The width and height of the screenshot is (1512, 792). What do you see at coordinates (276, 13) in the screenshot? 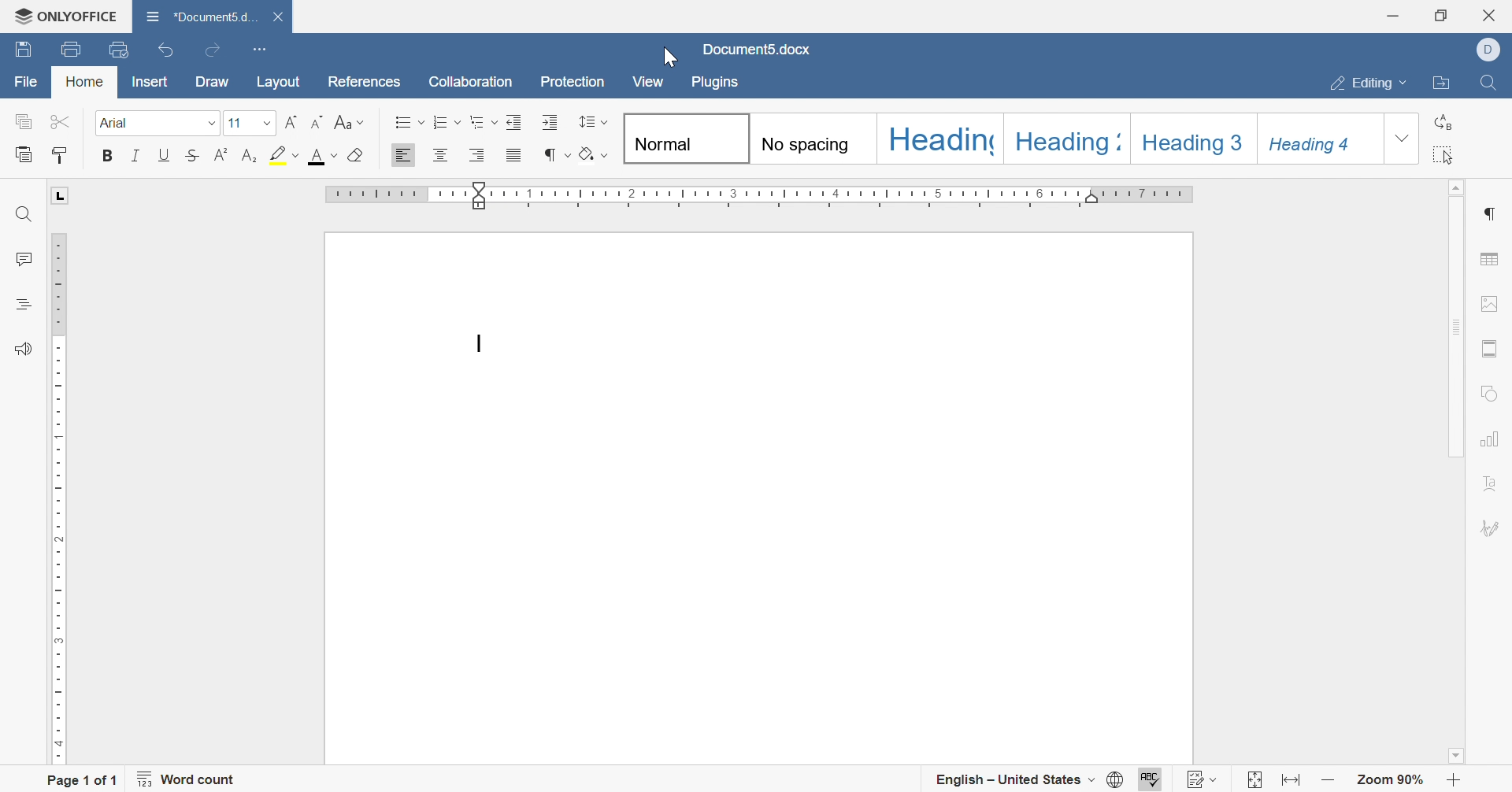
I see `close` at bounding box center [276, 13].